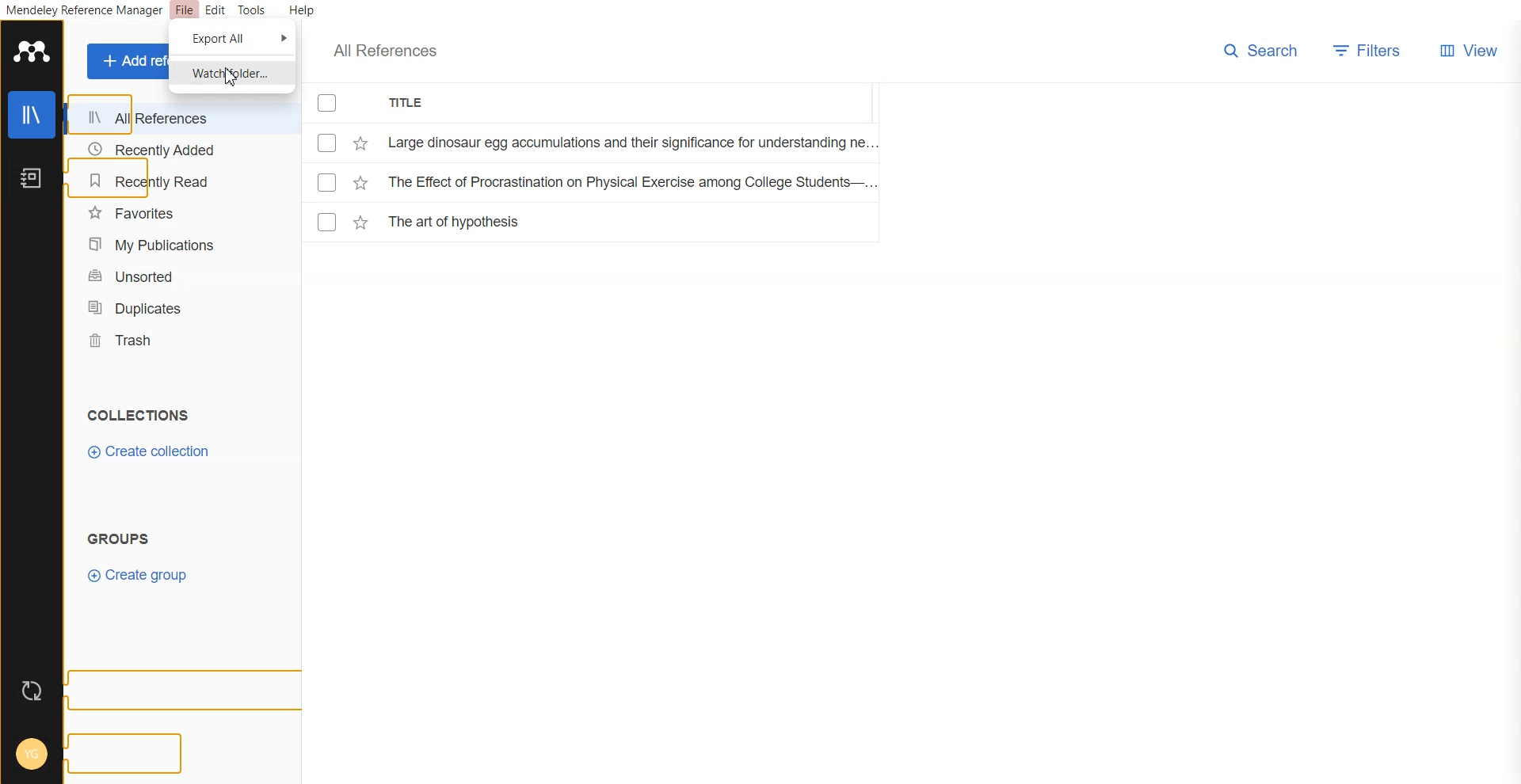  I want to click on Text, so click(122, 539).